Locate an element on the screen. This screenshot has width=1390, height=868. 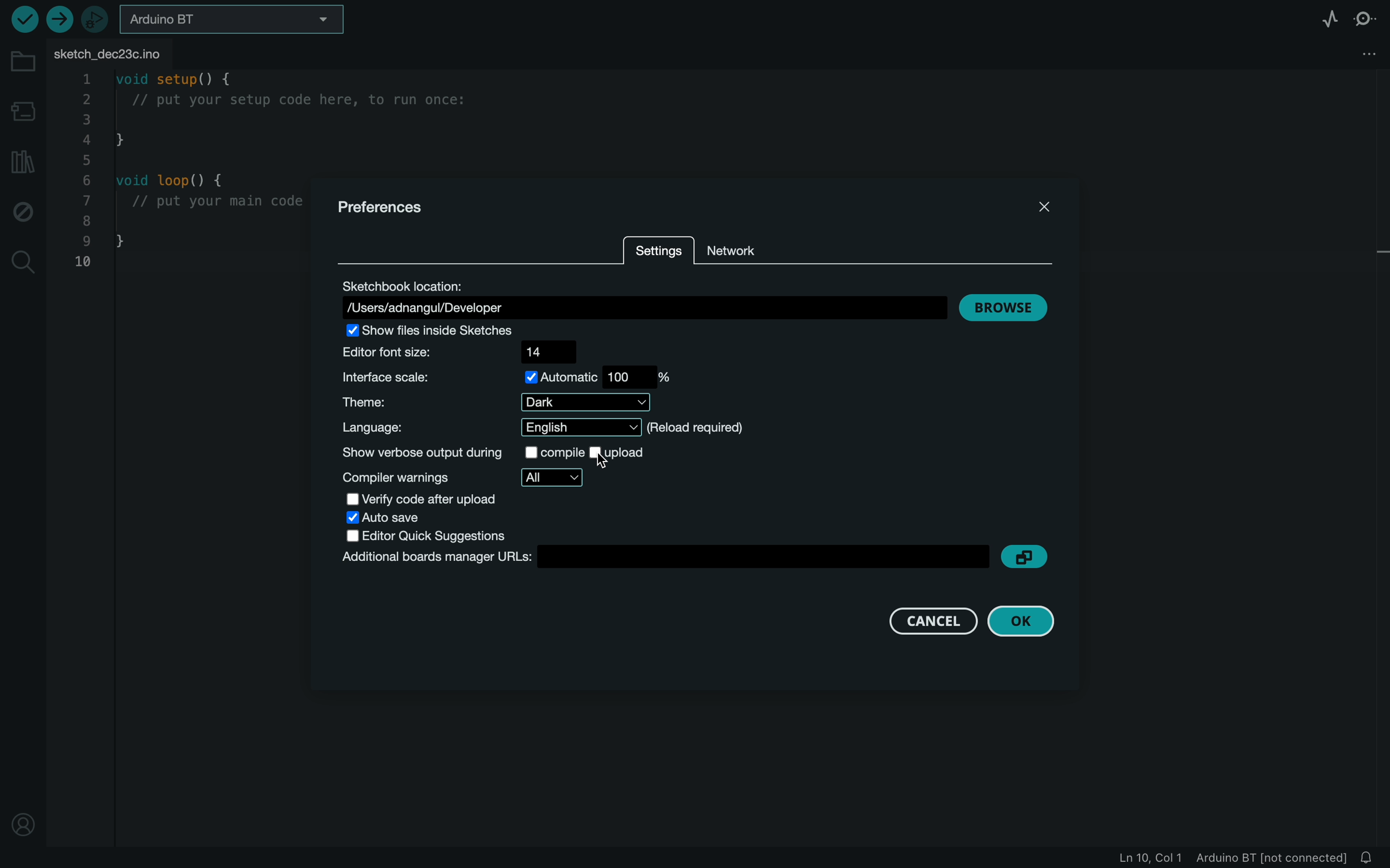
ok is located at coordinates (1030, 620).